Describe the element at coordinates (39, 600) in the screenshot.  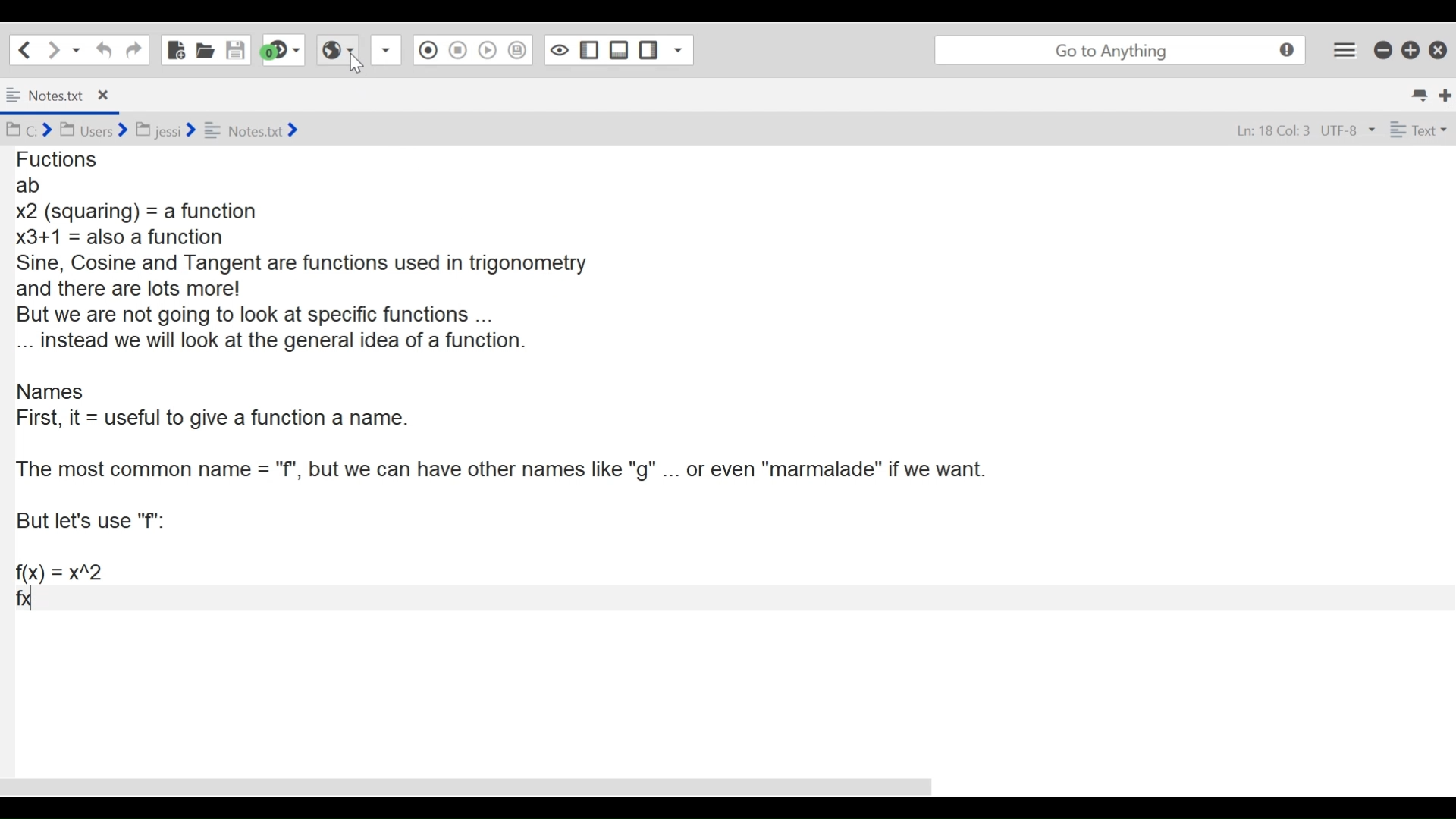
I see `text cursor` at that location.